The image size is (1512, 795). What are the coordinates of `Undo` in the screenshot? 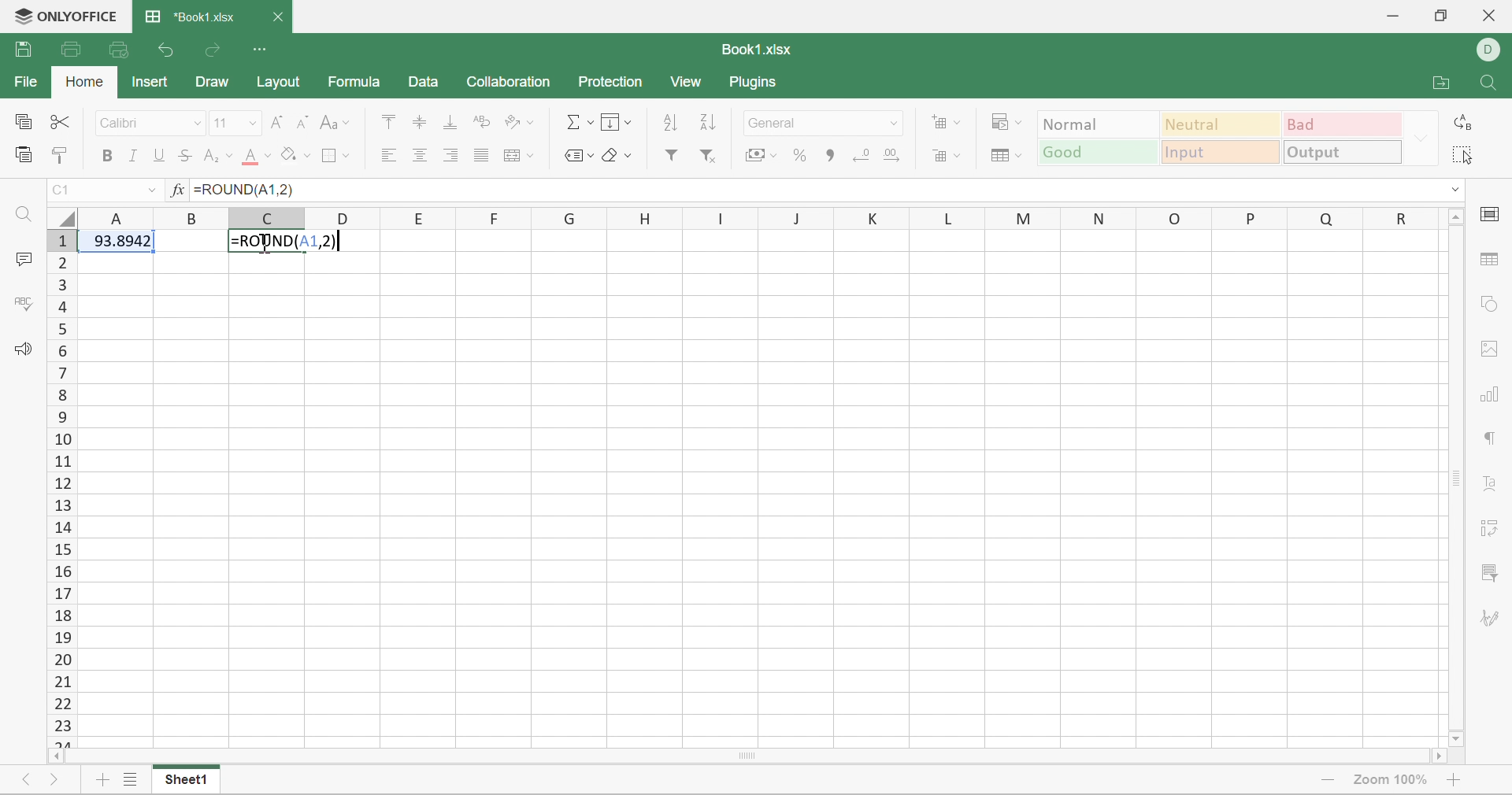 It's located at (168, 49).